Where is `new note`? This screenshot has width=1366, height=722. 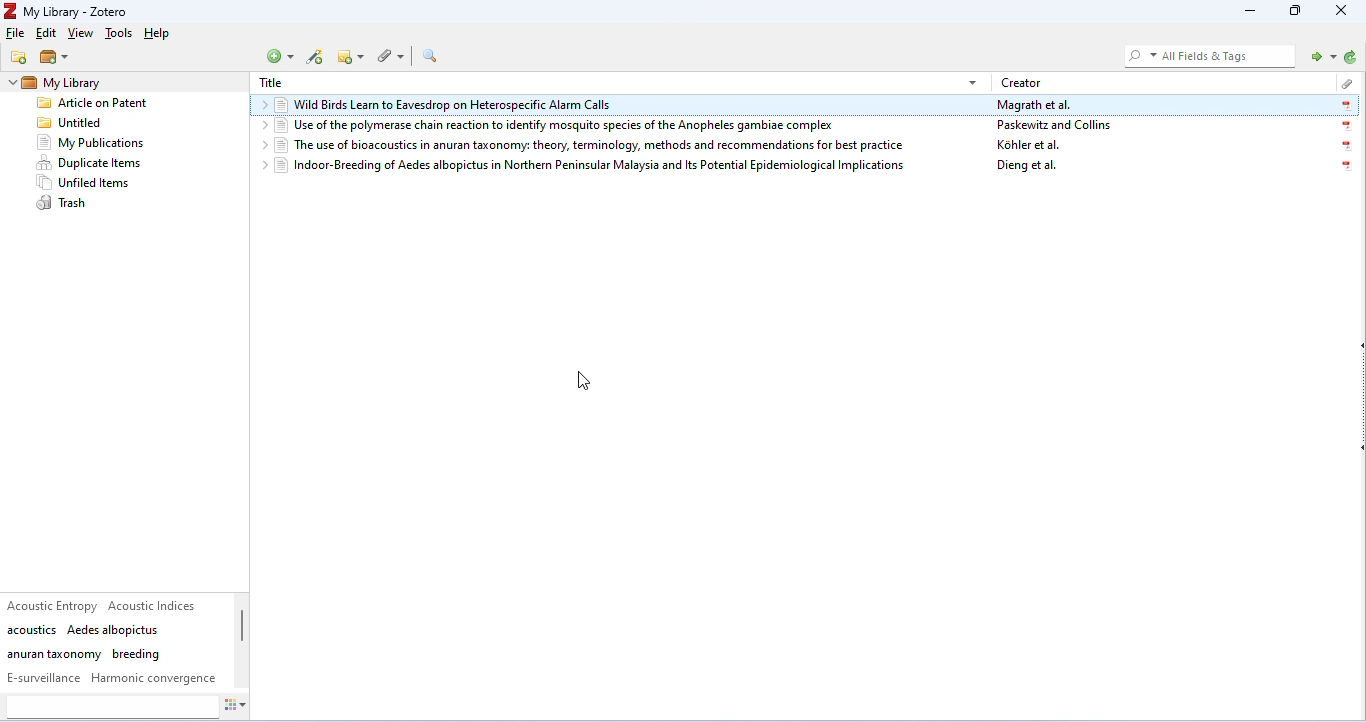 new note is located at coordinates (350, 56).